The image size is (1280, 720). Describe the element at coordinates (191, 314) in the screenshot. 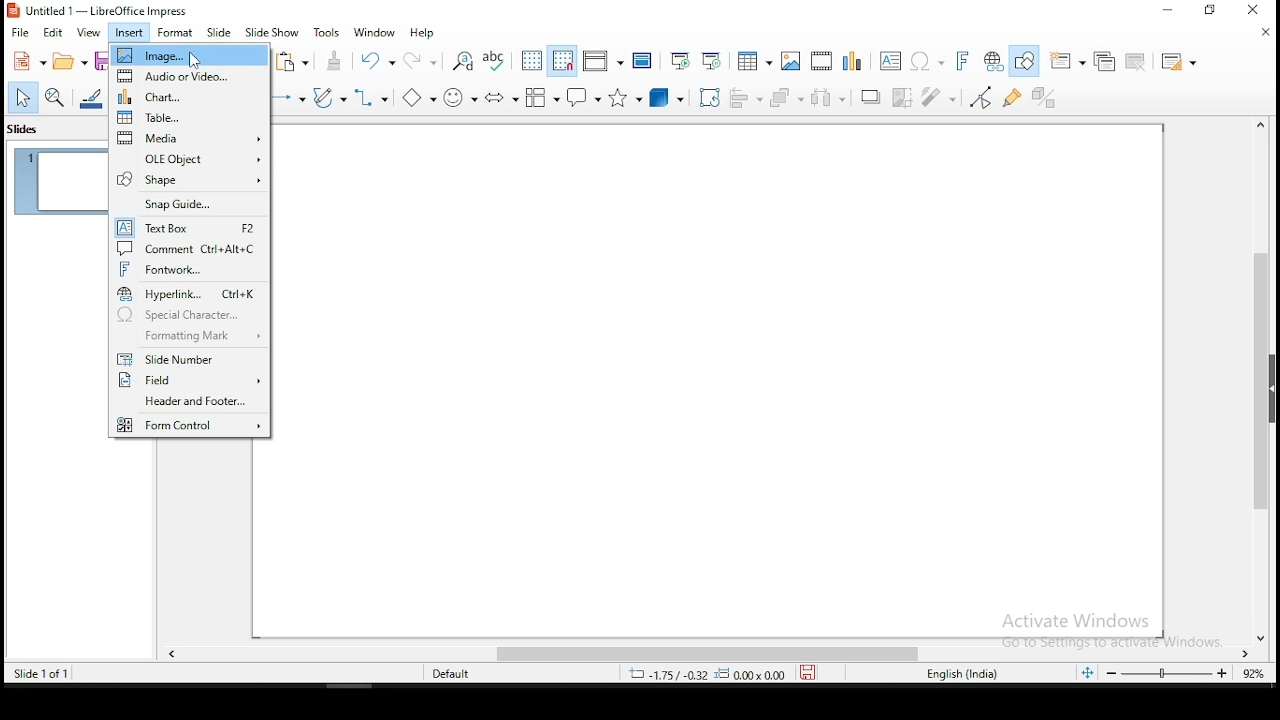

I see `special character` at that location.